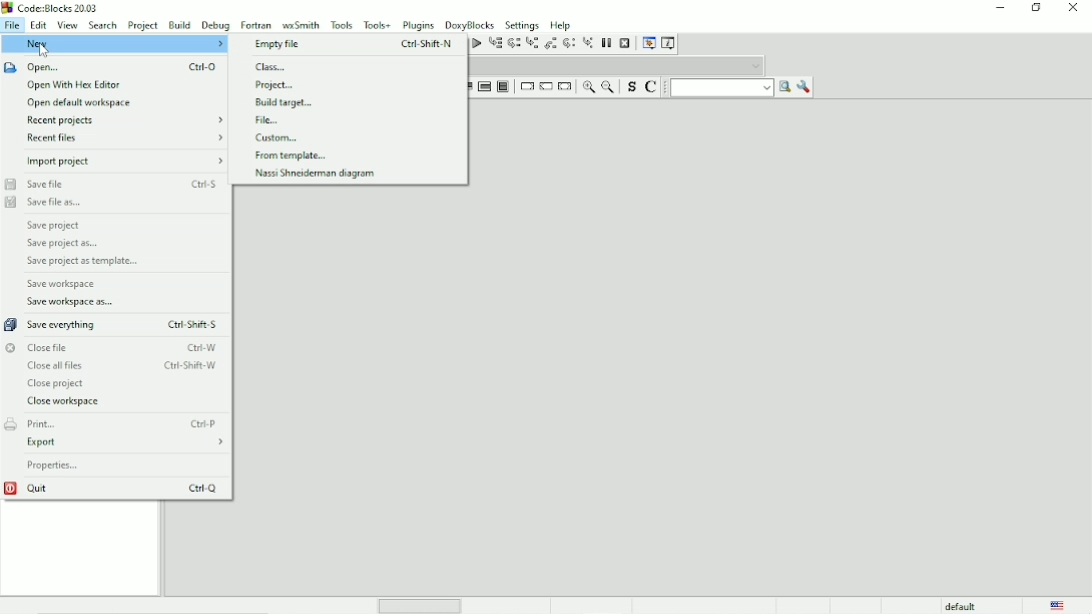  What do you see at coordinates (114, 44) in the screenshot?
I see `New` at bounding box center [114, 44].